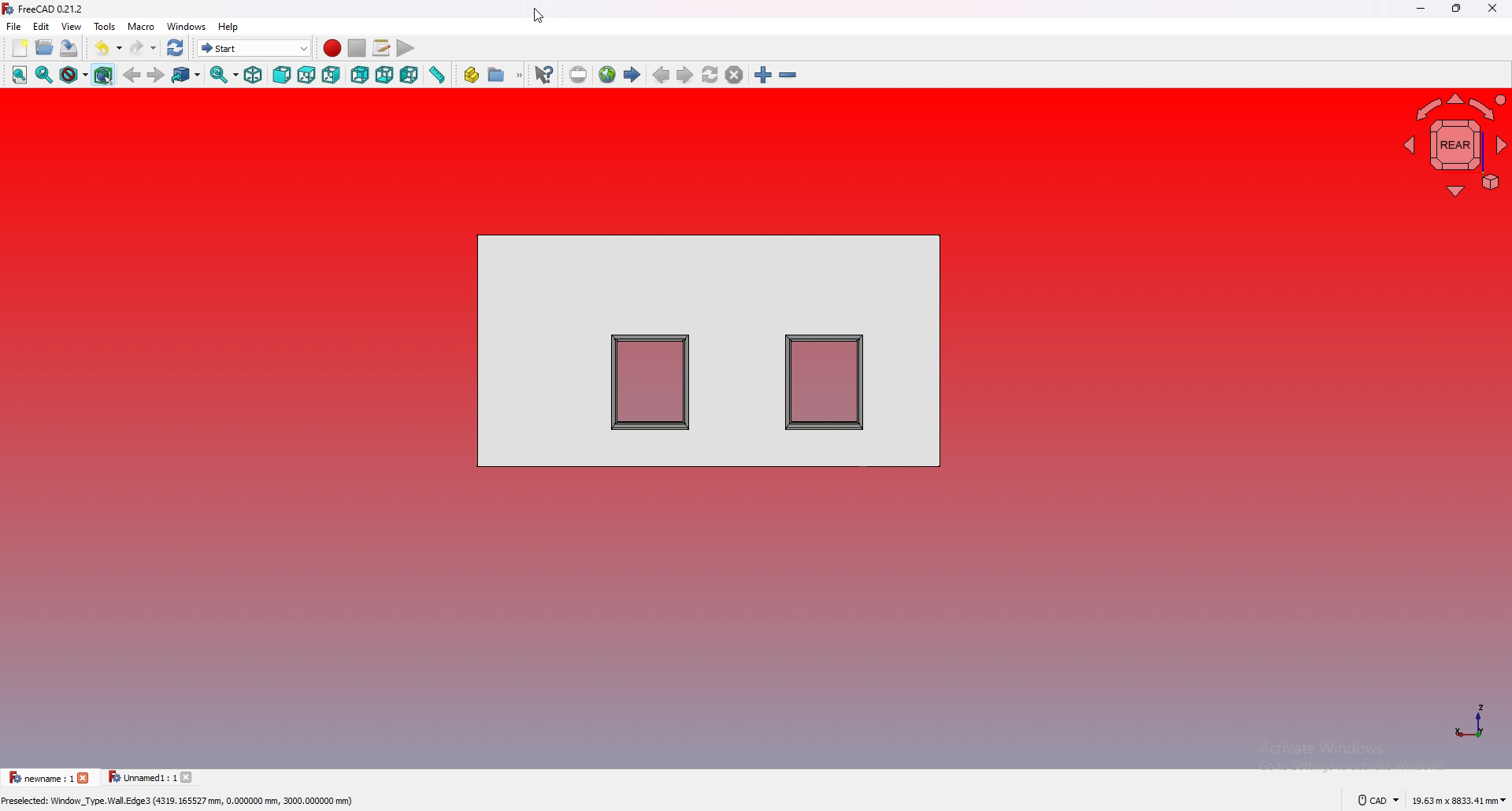 The width and height of the screenshot is (1512, 811). I want to click on next page, so click(684, 75).